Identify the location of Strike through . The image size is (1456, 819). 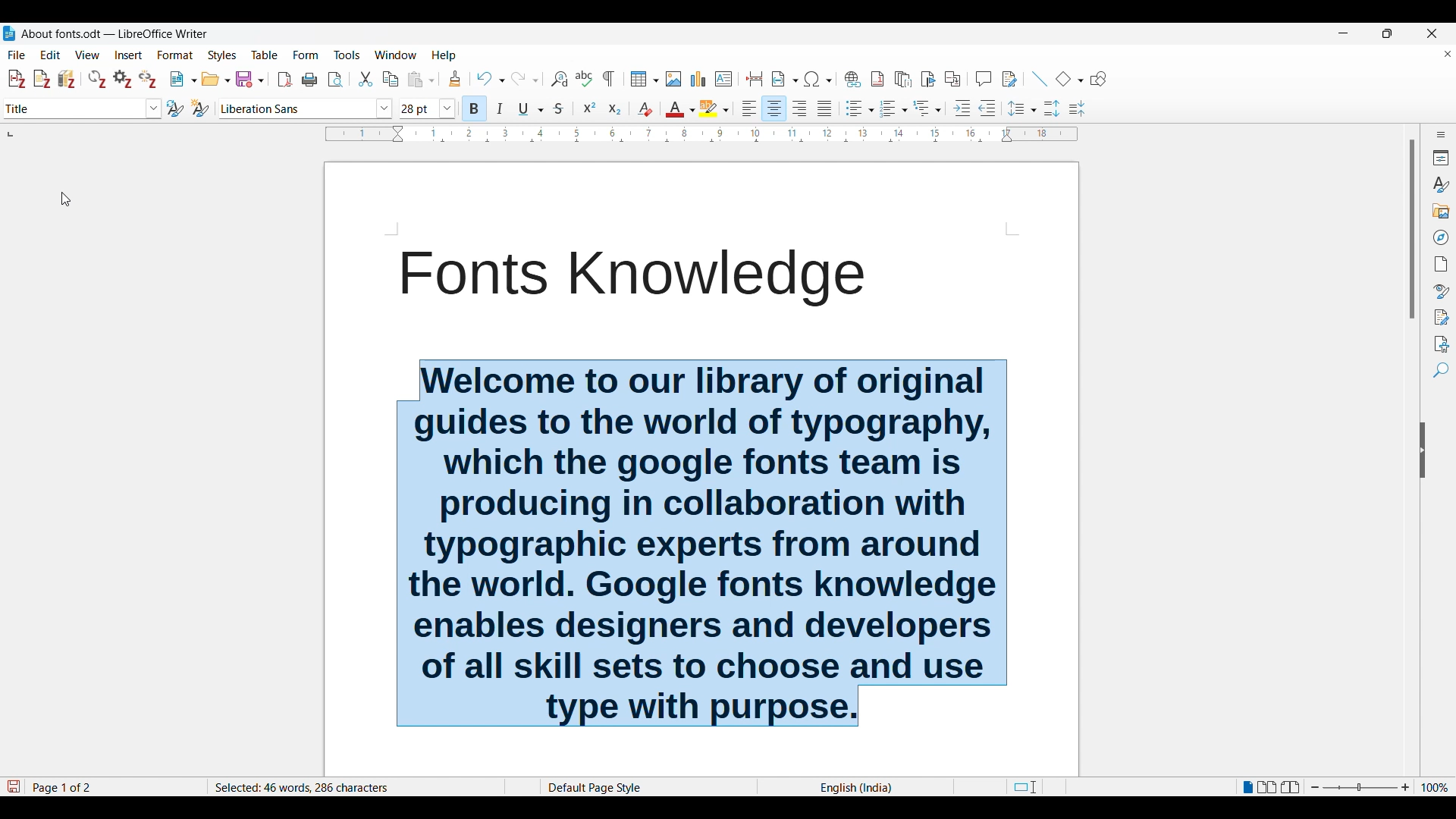
(559, 108).